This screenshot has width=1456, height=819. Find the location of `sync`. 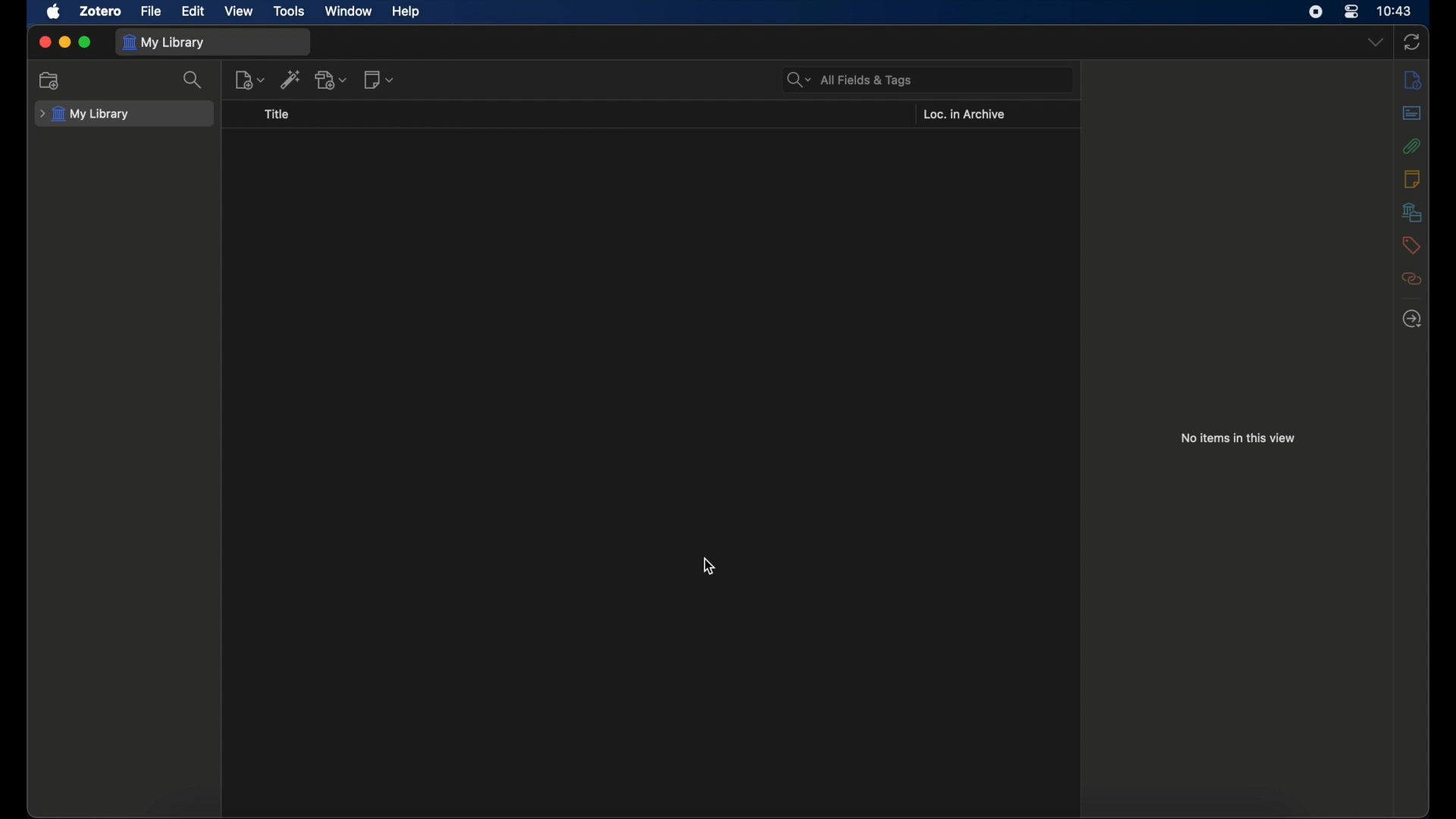

sync is located at coordinates (1411, 42).